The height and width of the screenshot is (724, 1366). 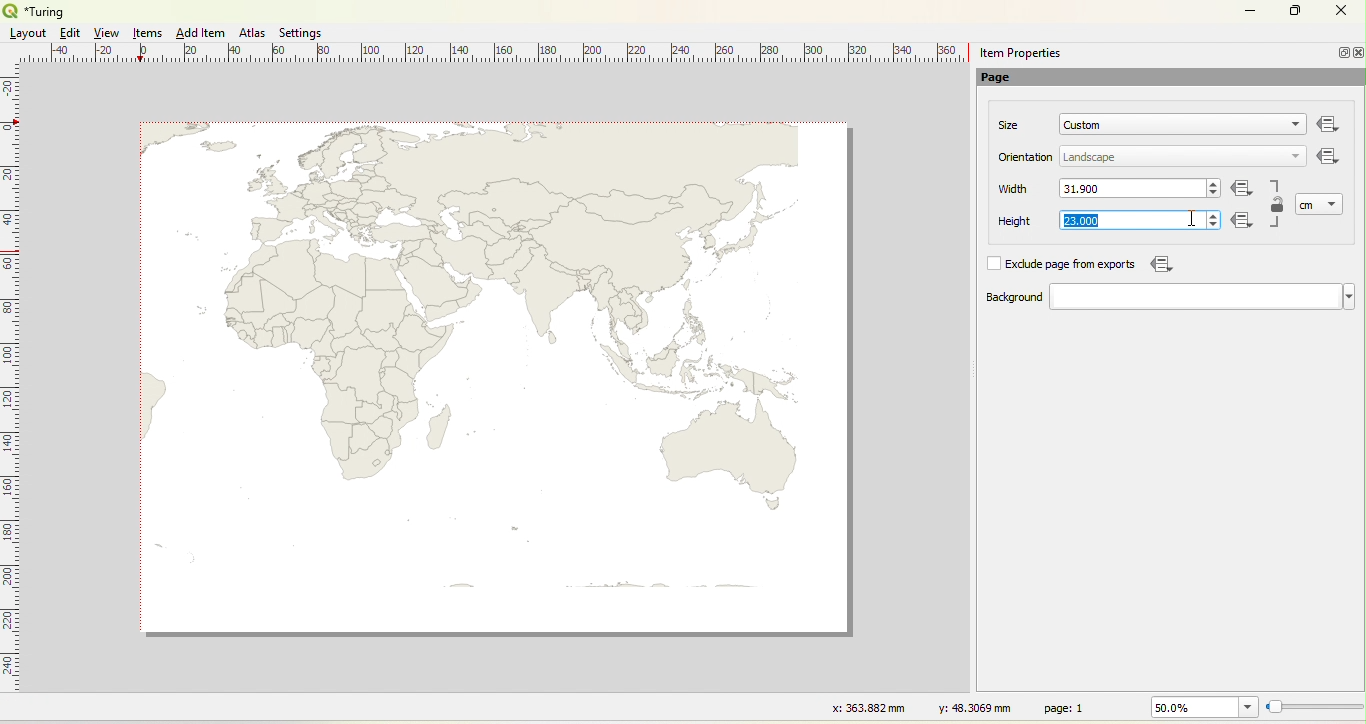 I want to click on Settings, so click(x=302, y=33).